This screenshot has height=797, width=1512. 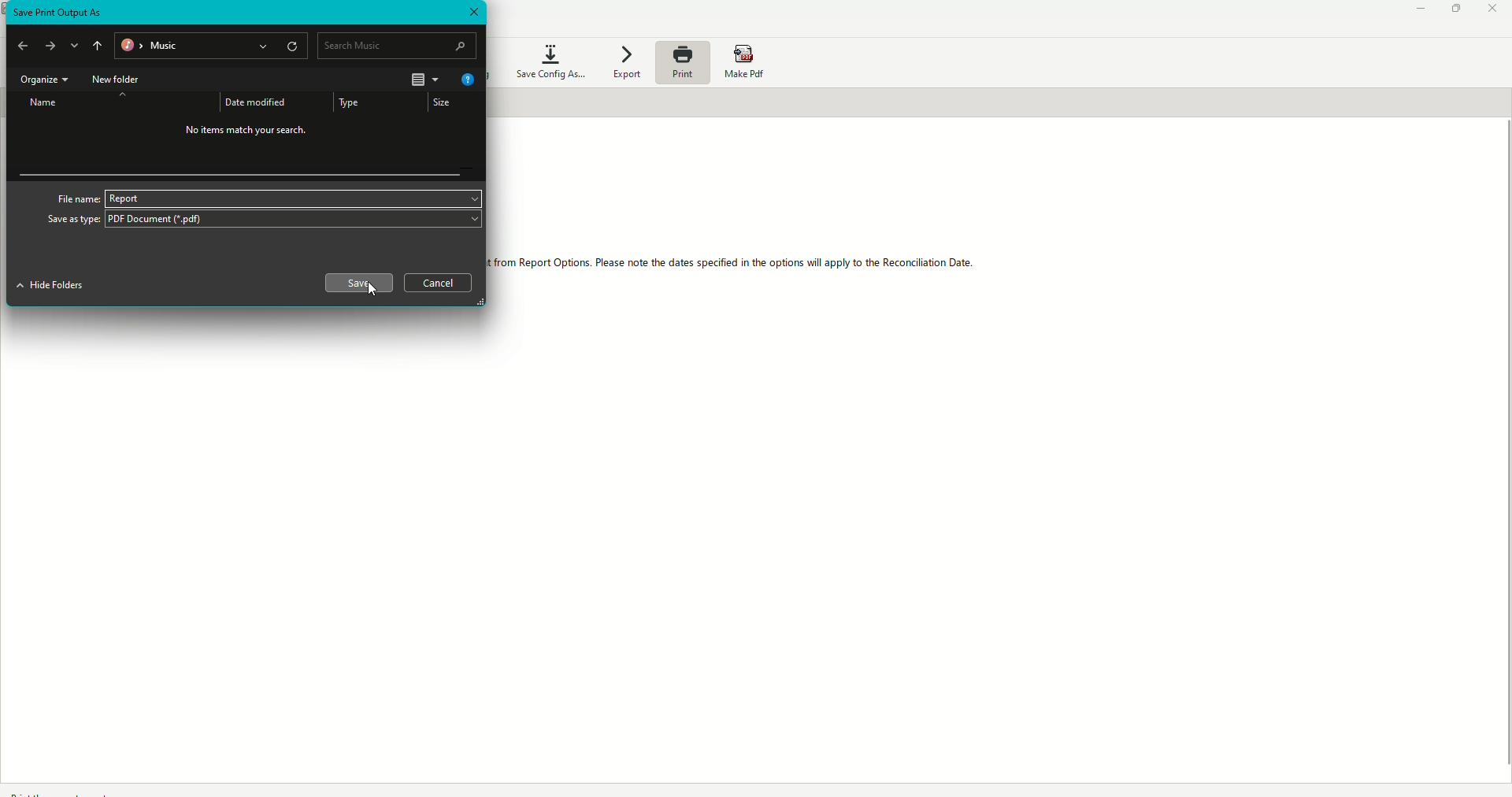 What do you see at coordinates (50, 287) in the screenshot?
I see `Hide Folders` at bounding box center [50, 287].